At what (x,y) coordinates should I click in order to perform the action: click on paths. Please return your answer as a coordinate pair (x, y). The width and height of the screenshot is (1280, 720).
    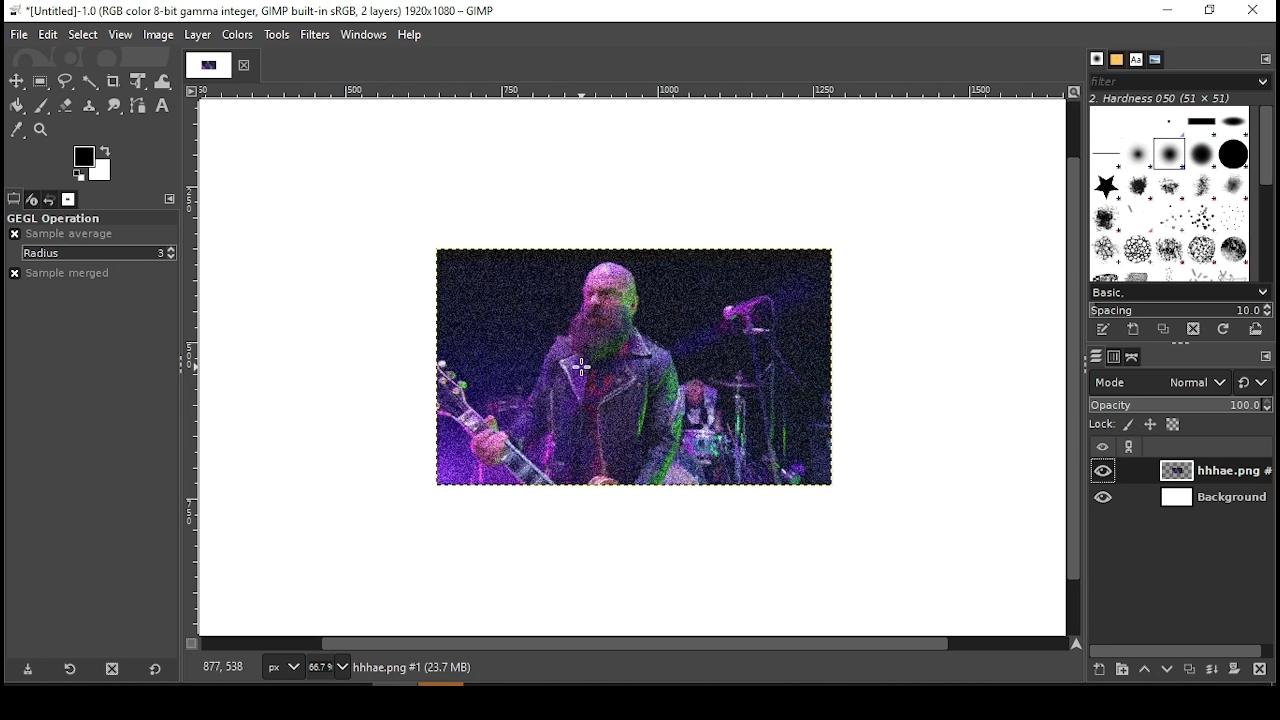
    Looking at the image, I should click on (1134, 356).